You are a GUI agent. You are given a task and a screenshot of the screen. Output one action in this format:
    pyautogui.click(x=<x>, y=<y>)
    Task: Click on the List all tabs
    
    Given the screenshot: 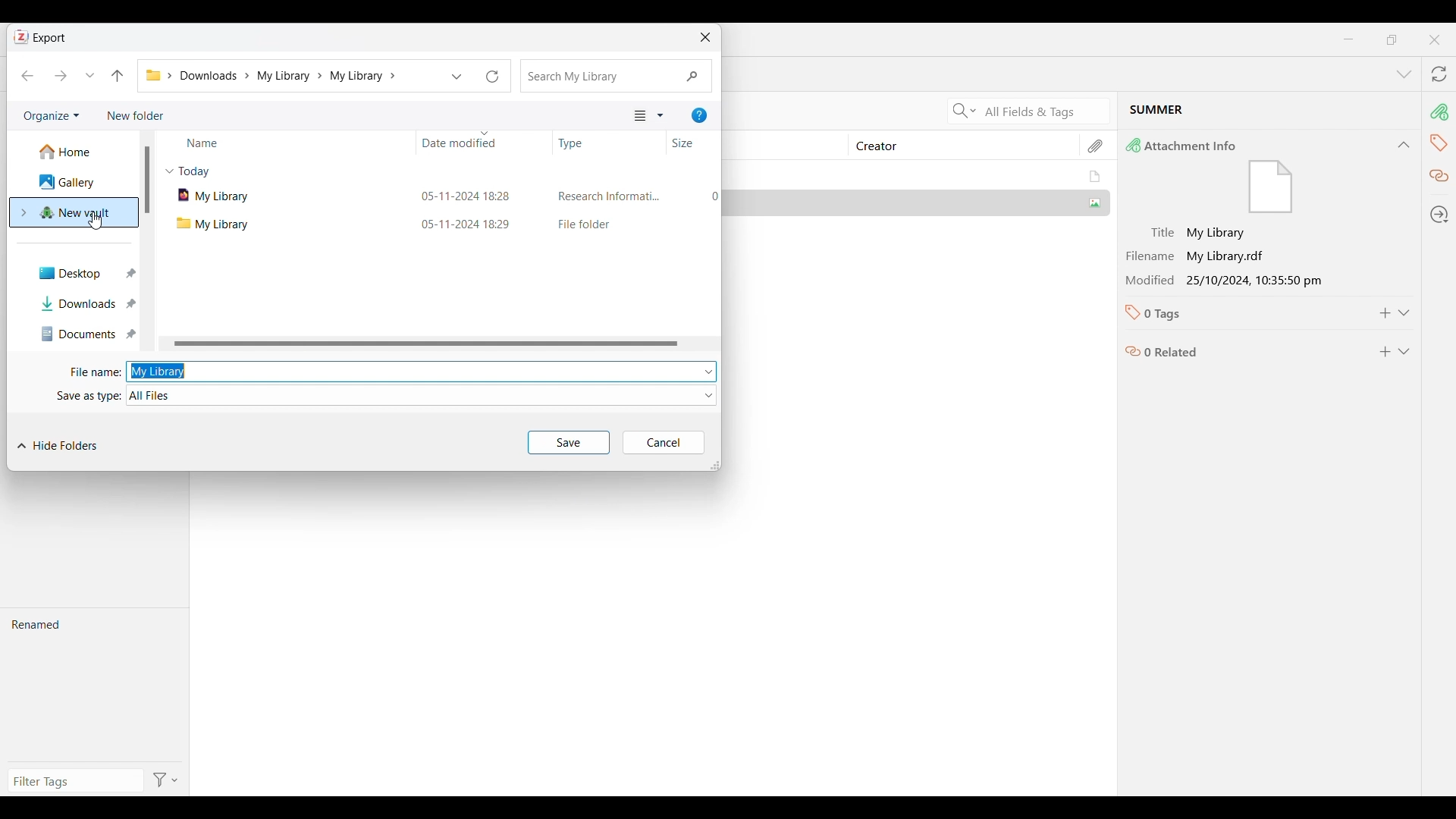 What is the action you would take?
    pyautogui.click(x=1404, y=74)
    